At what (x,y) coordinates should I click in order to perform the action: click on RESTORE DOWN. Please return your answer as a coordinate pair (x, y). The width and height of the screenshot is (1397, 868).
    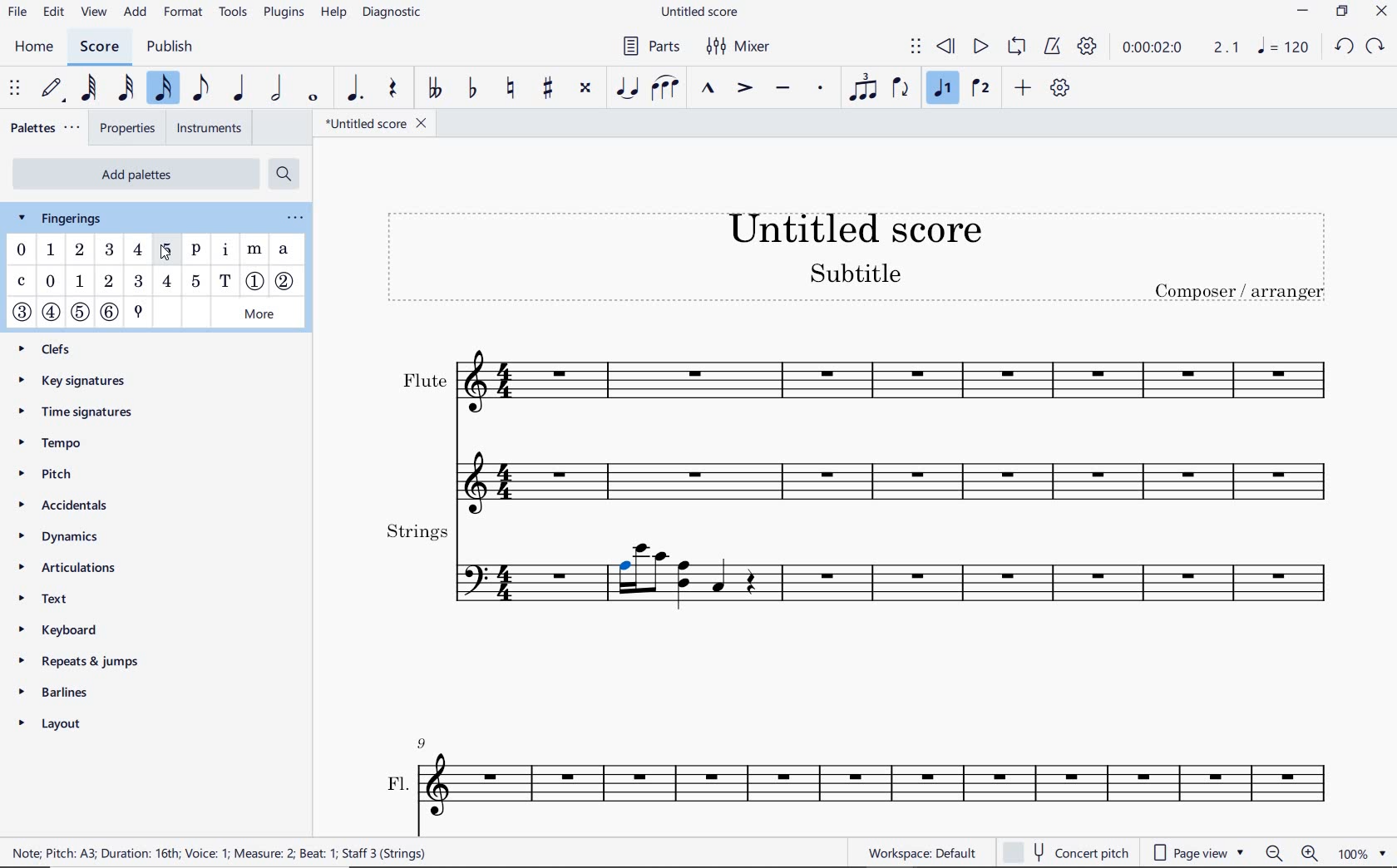
    Looking at the image, I should click on (1341, 12).